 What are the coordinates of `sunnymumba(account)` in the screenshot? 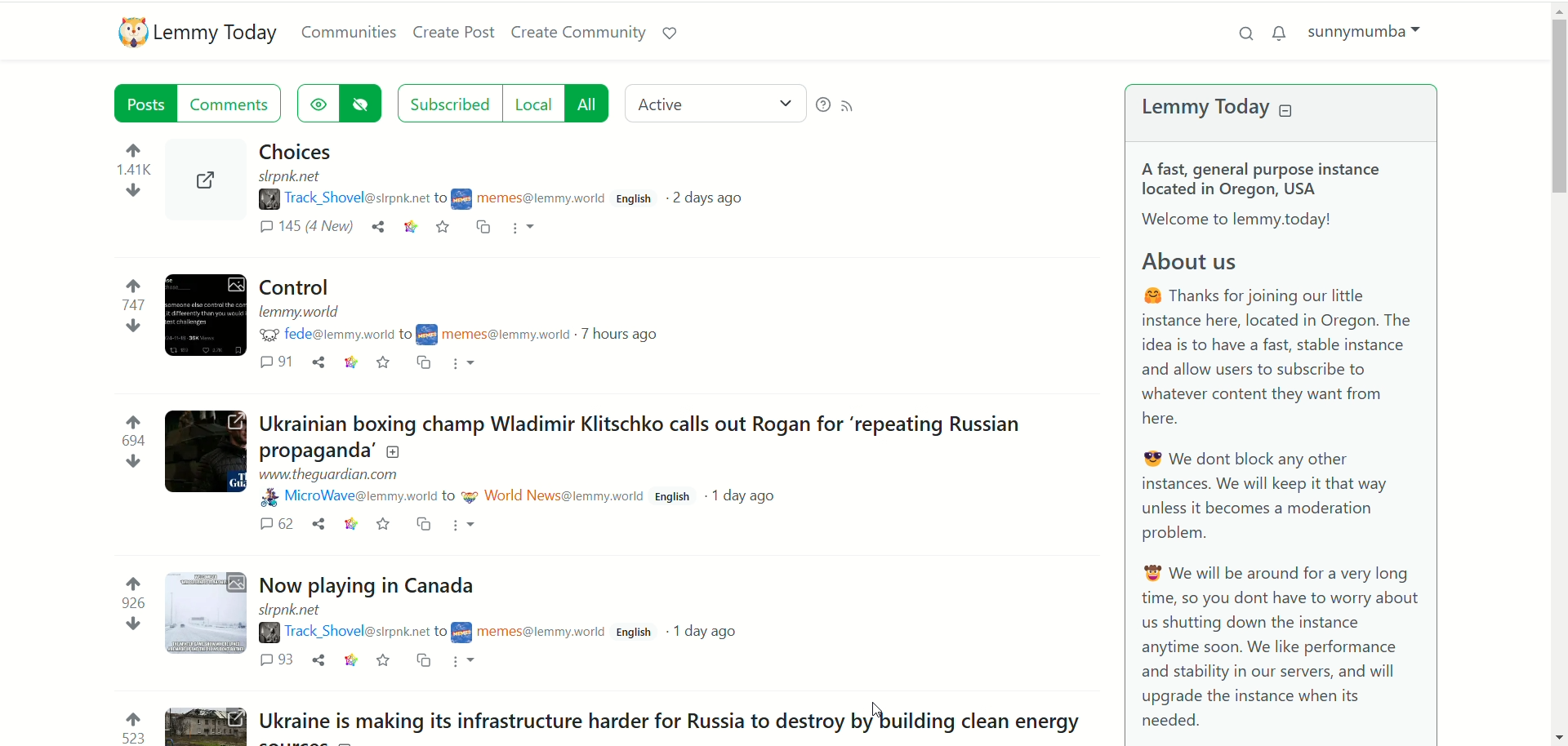 It's located at (1374, 34).